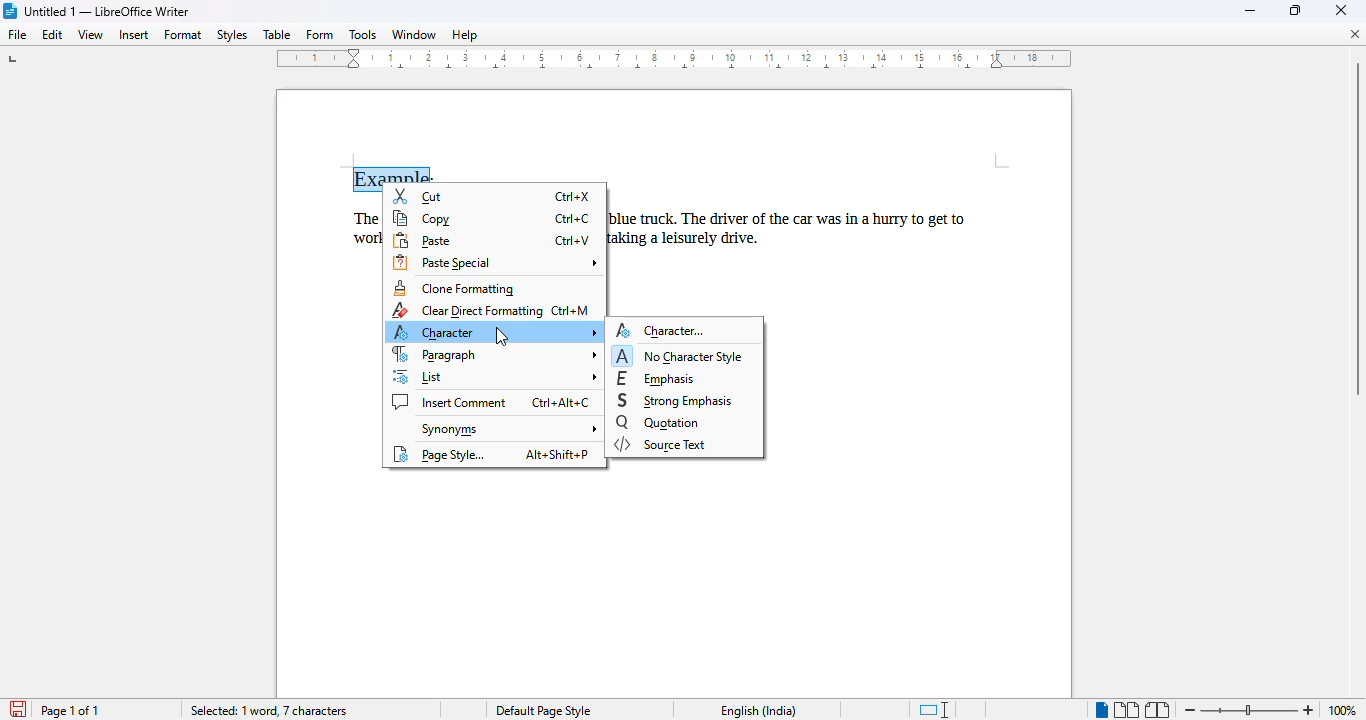 Image resolution: width=1366 pixels, height=720 pixels. Describe the element at coordinates (455, 289) in the screenshot. I see `clone formatting` at that location.